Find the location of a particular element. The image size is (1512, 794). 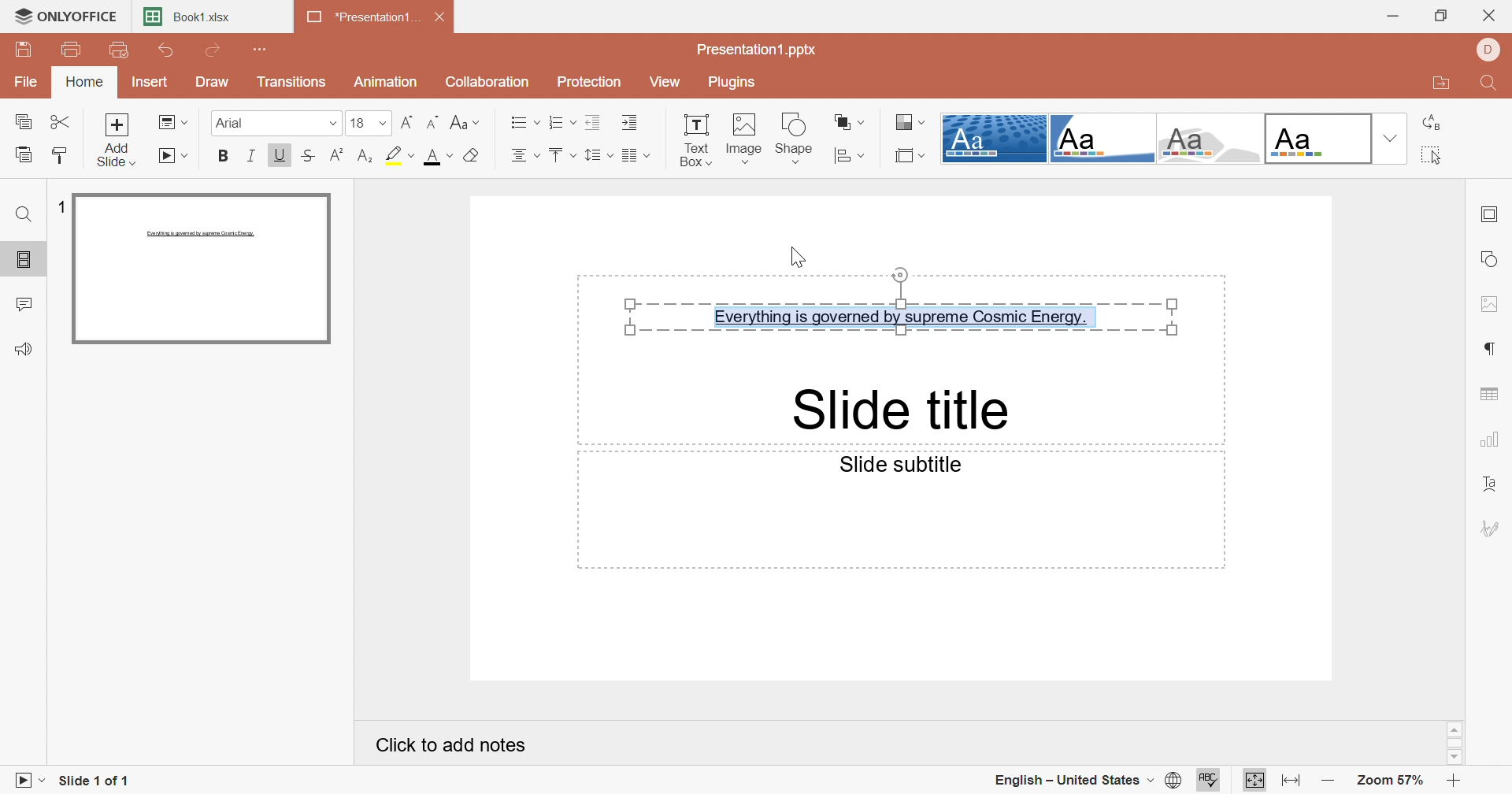

Decrement font size is located at coordinates (435, 122).